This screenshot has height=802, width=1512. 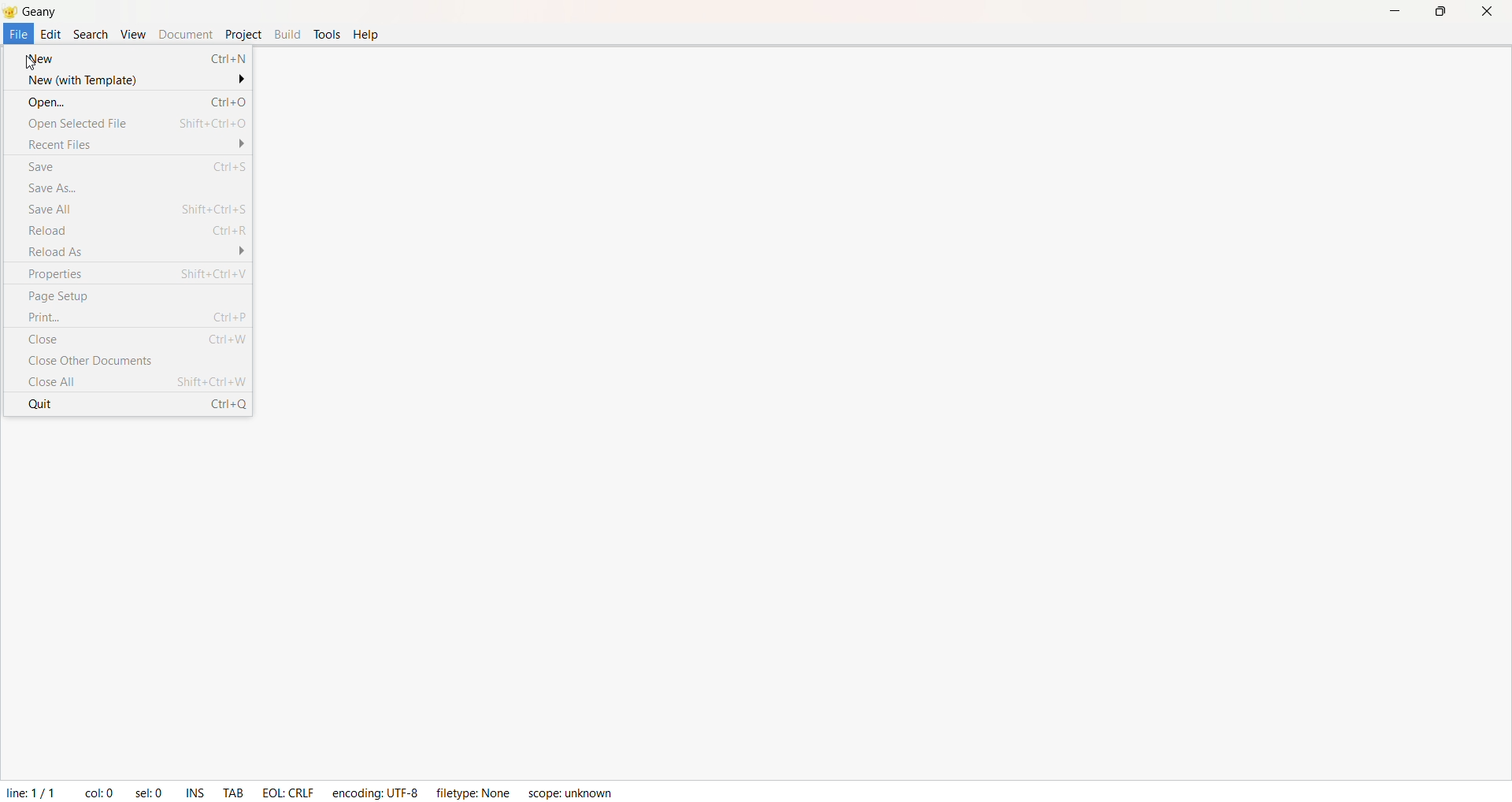 What do you see at coordinates (38, 62) in the screenshot?
I see `cursor` at bounding box center [38, 62].